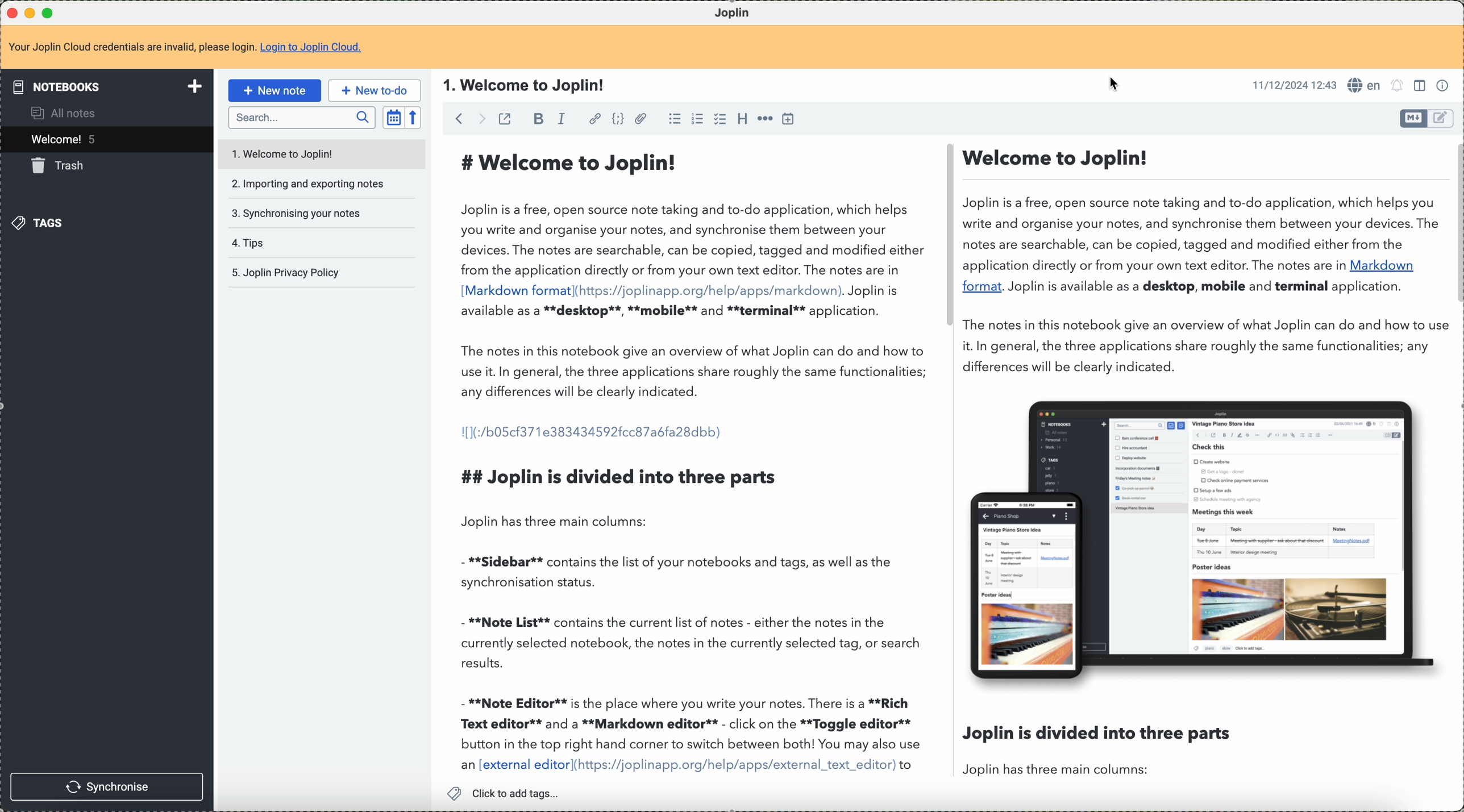 Image resolution: width=1464 pixels, height=812 pixels. What do you see at coordinates (57, 14) in the screenshot?
I see `maximize Joplin` at bounding box center [57, 14].